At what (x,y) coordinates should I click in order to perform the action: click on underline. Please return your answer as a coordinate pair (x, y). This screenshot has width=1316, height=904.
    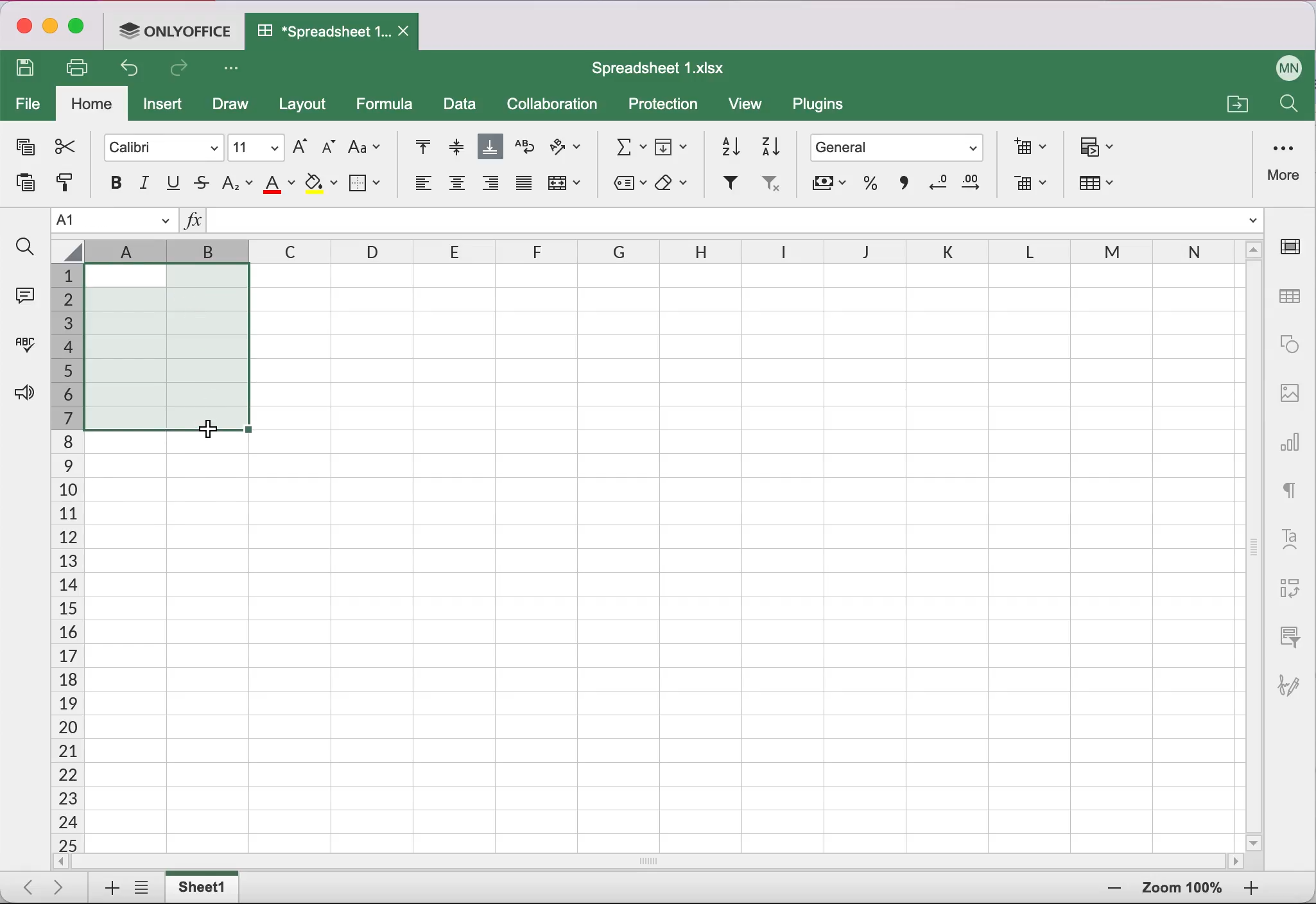
    Looking at the image, I should click on (175, 184).